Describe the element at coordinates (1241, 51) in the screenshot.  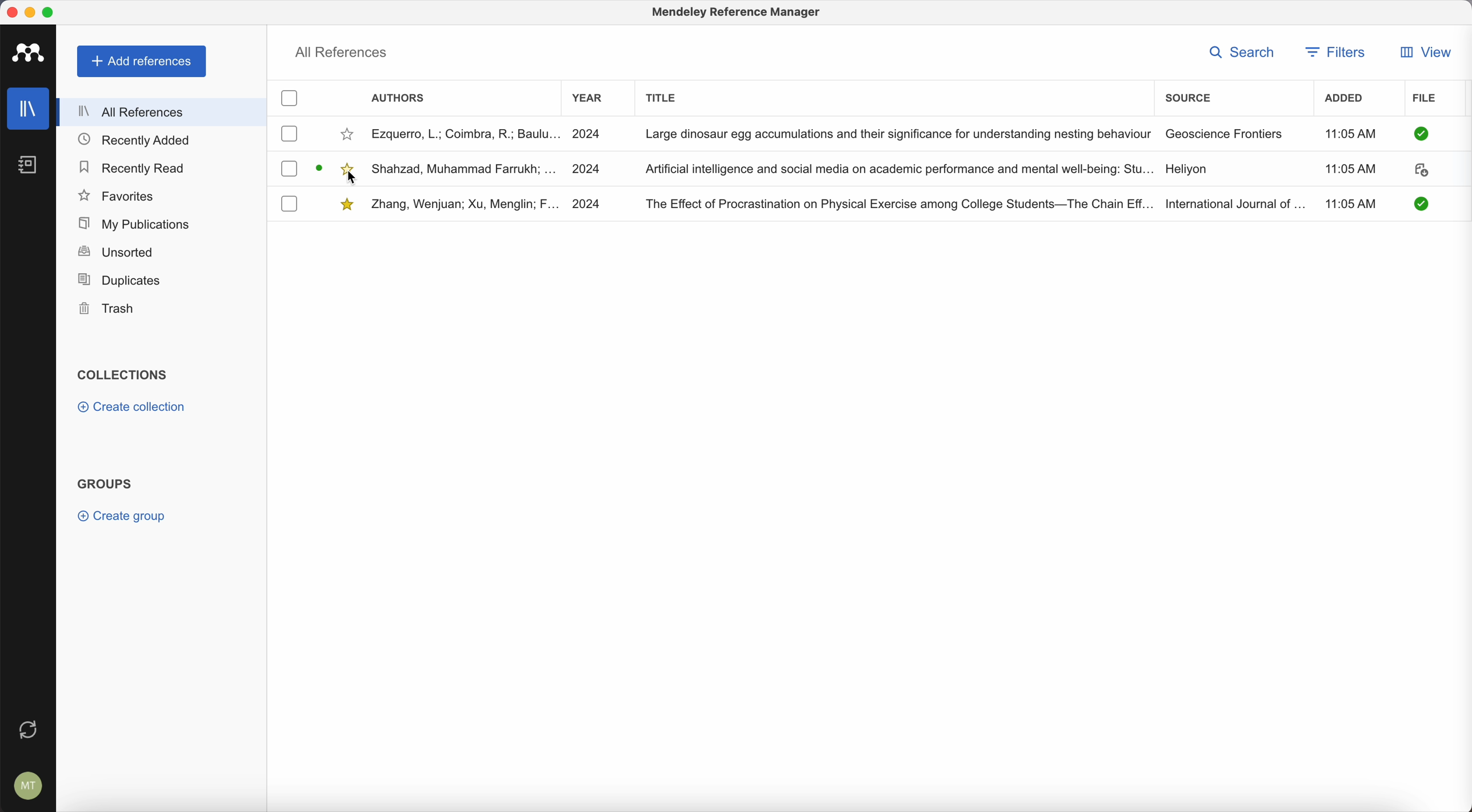
I see `search` at that location.